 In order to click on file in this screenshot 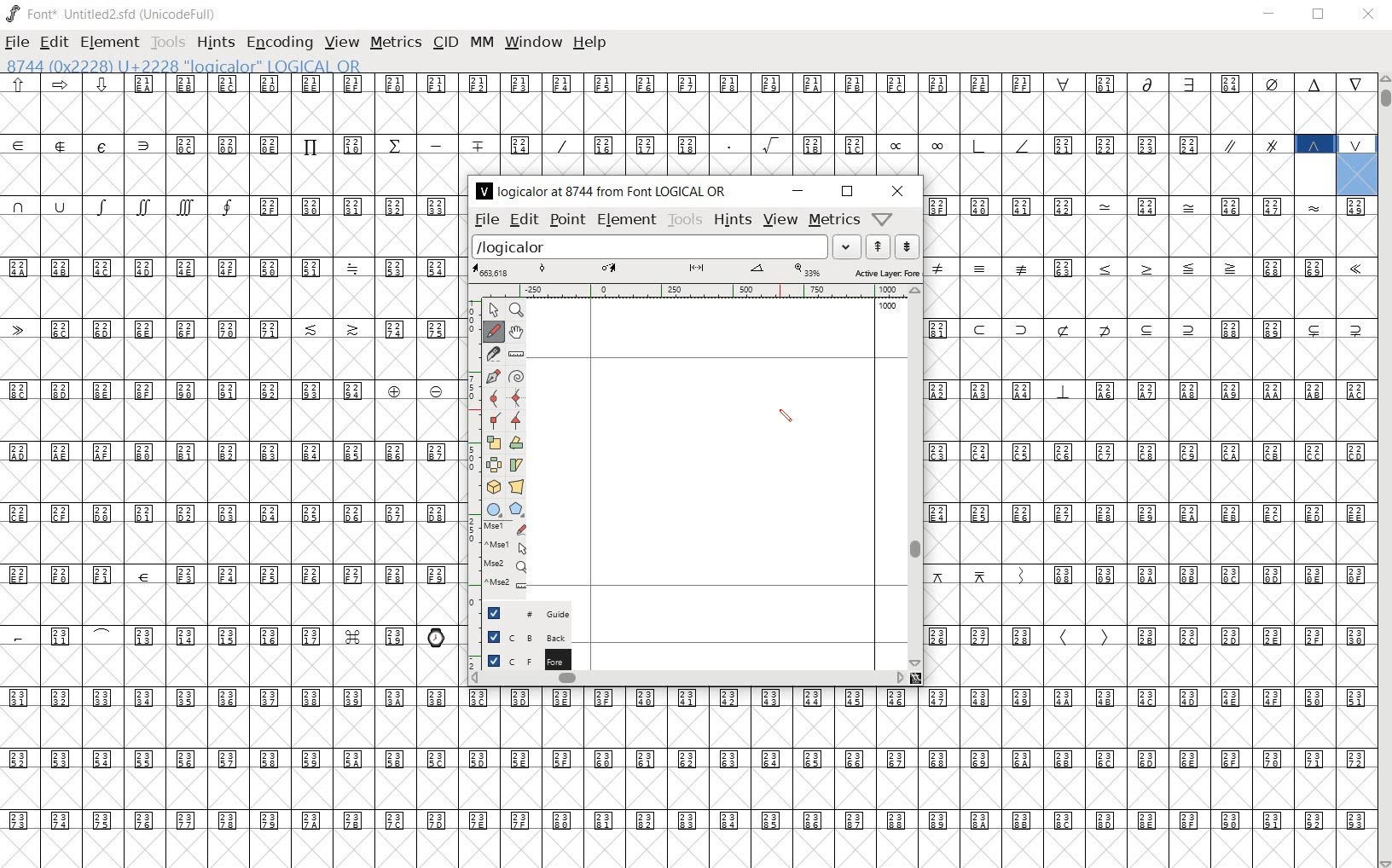, I will do `click(485, 219)`.